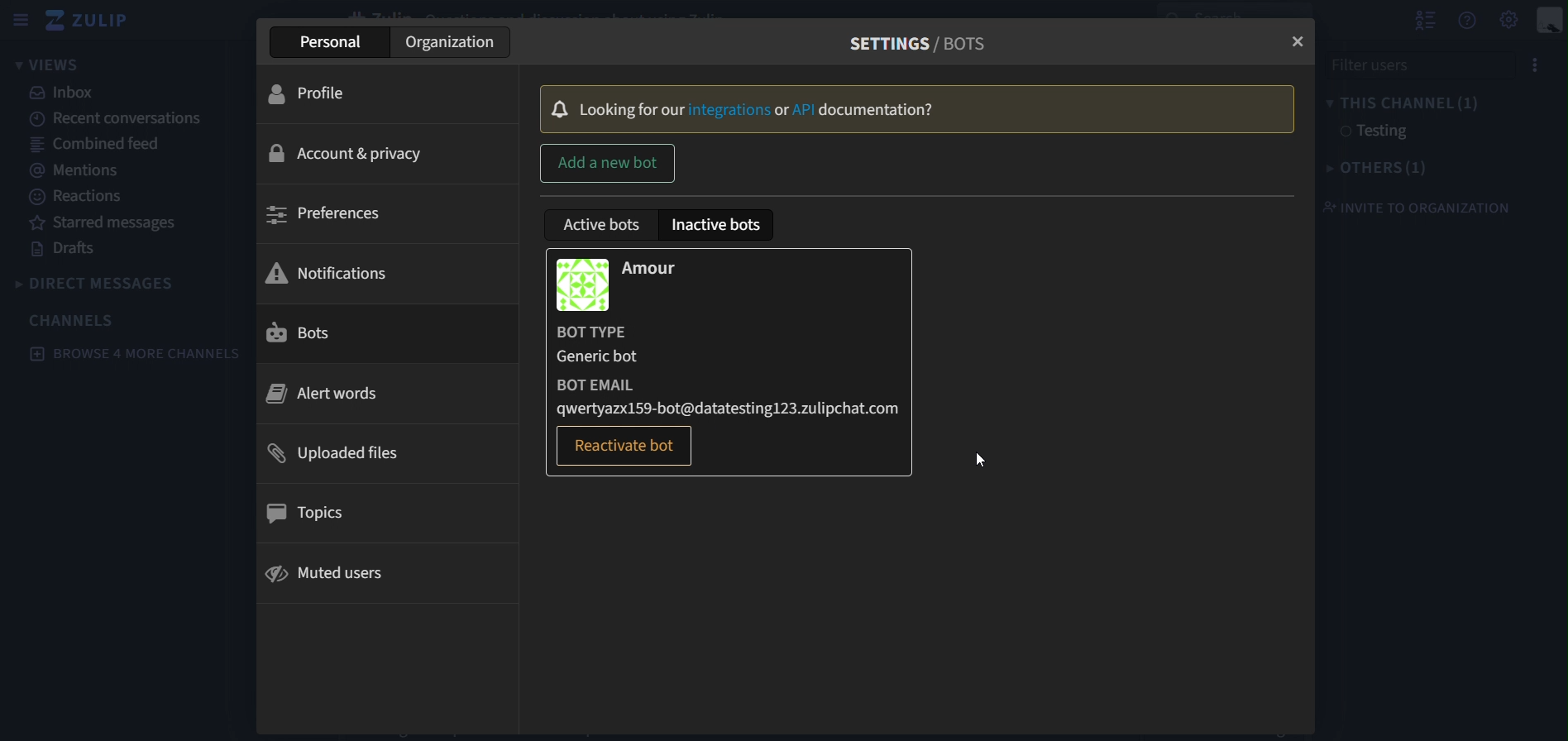 Image resolution: width=1568 pixels, height=741 pixels. Describe the element at coordinates (805, 110) in the screenshot. I see `API` at that location.